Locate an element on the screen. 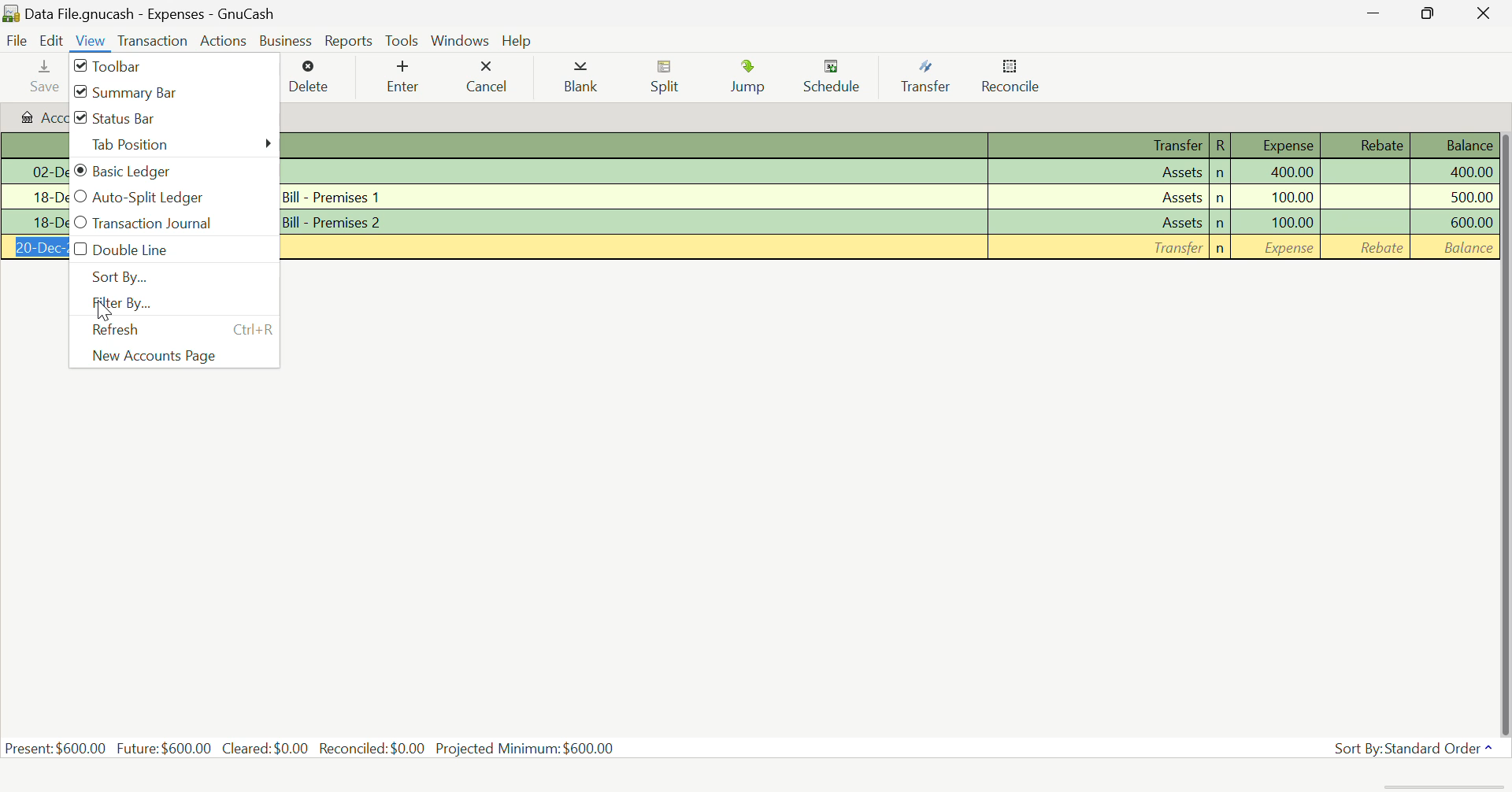 The width and height of the screenshot is (1512, 792). Rebate is located at coordinates (1366, 146).